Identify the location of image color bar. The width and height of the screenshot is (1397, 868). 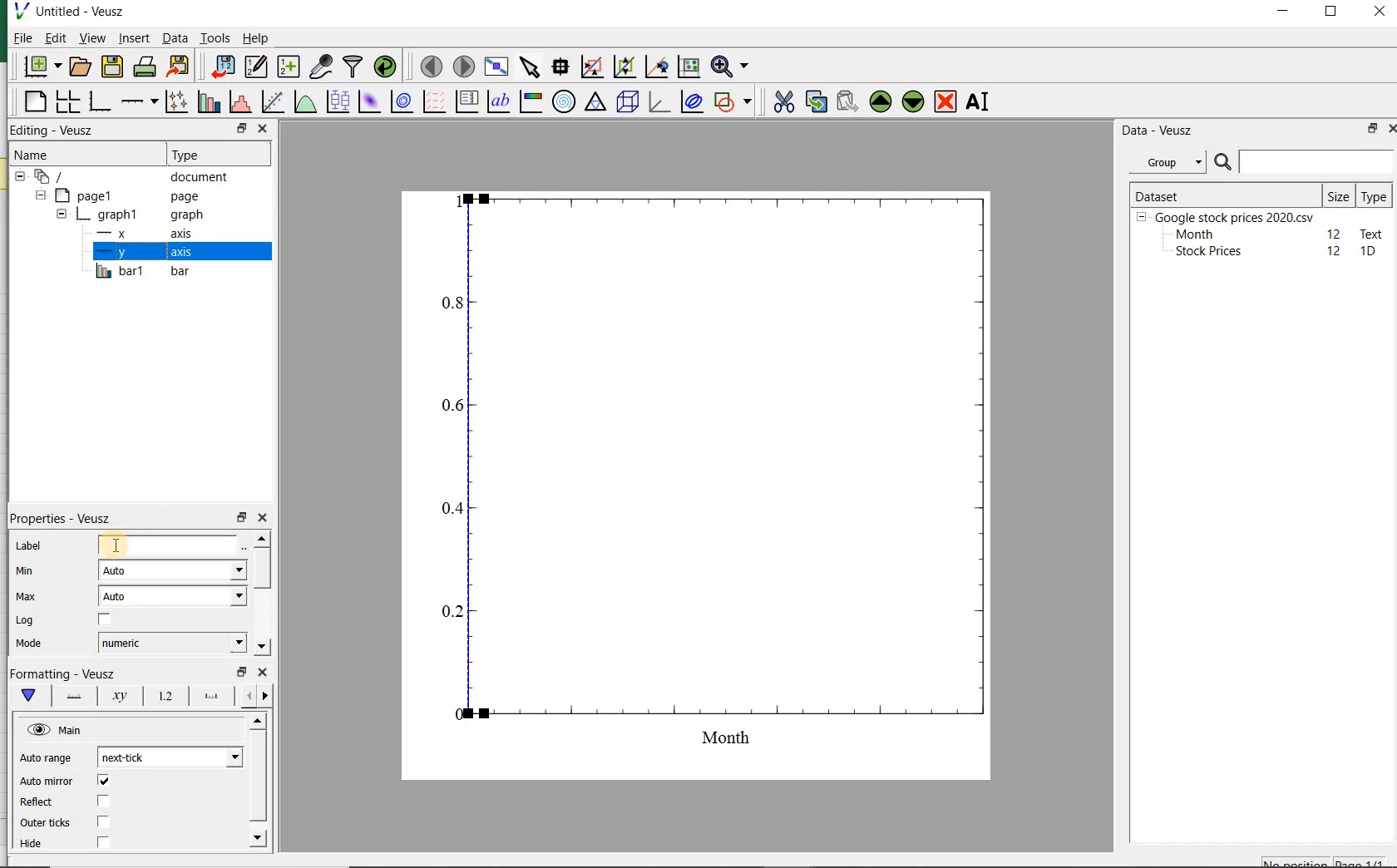
(529, 101).